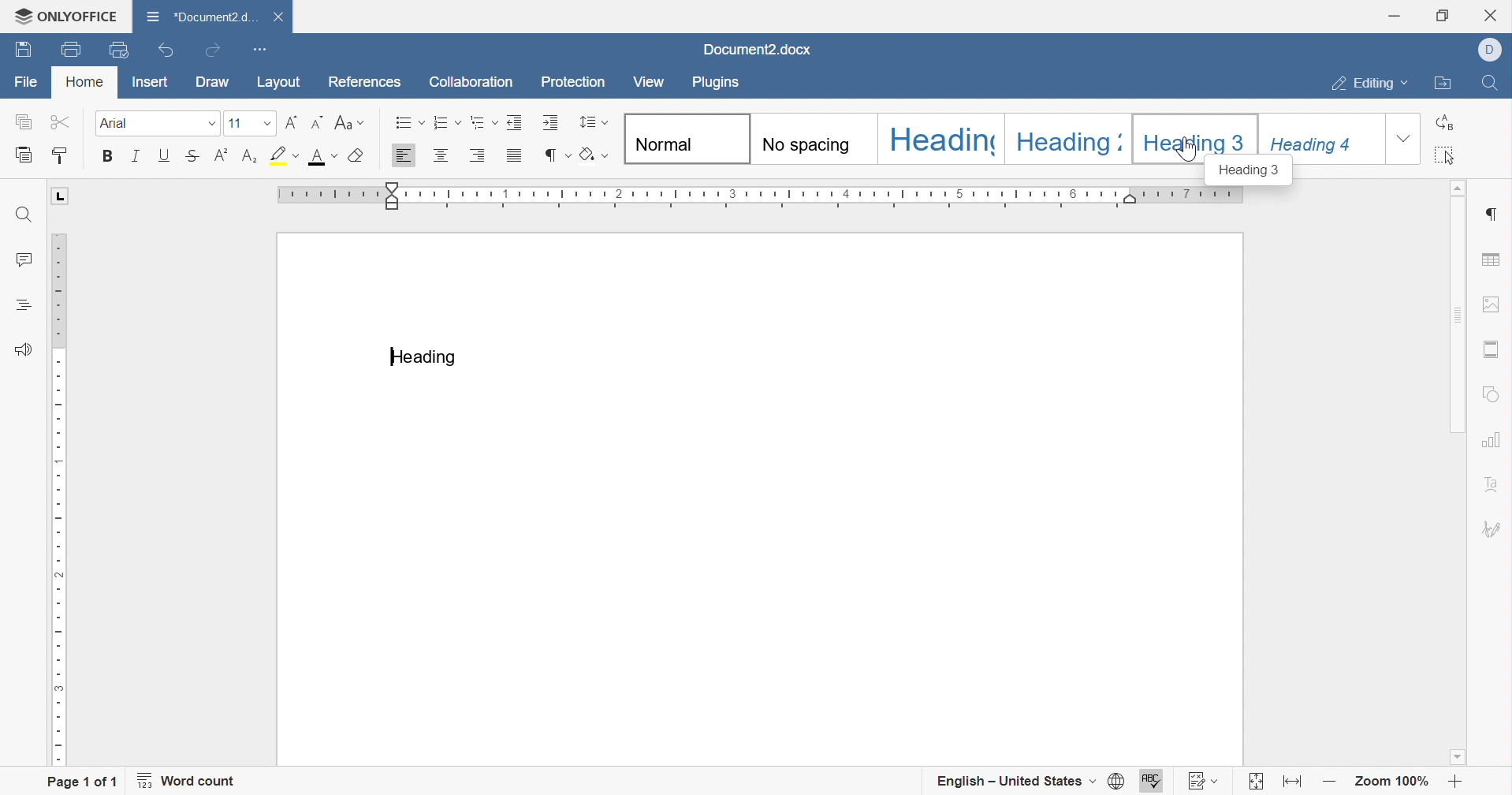  What do you see at coordinates (1495, 528) in the screenshot?
I see `Signature settings` at bounding box center [1495, 528].